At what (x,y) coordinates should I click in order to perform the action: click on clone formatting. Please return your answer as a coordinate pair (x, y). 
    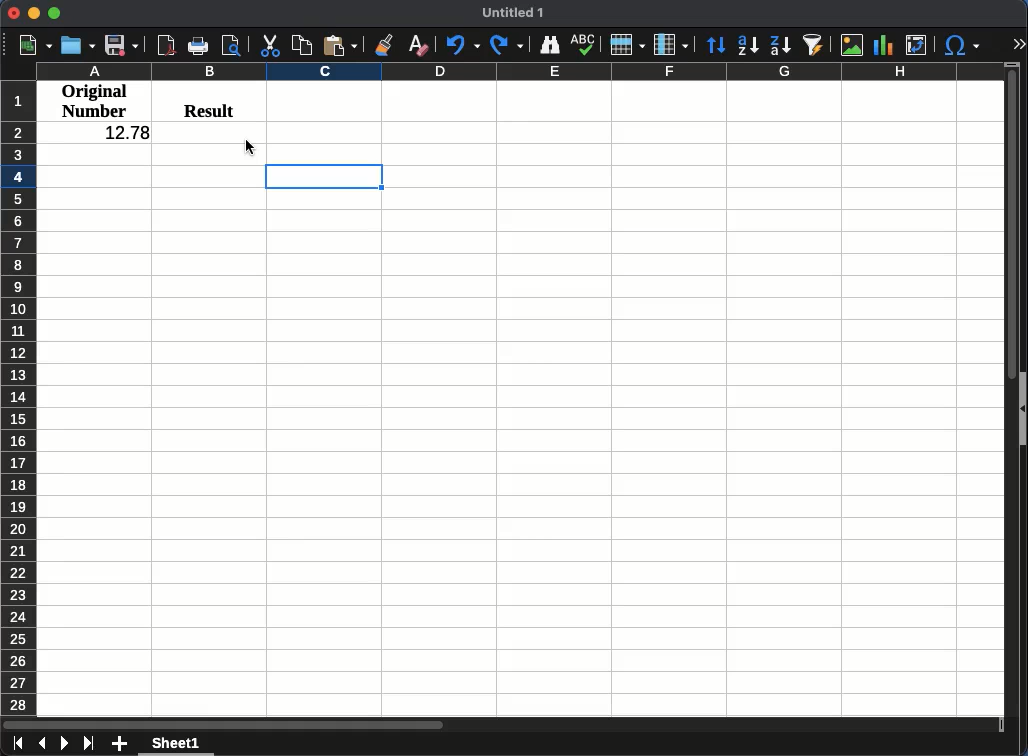
    Looking at the image, I should click on (385, 44).